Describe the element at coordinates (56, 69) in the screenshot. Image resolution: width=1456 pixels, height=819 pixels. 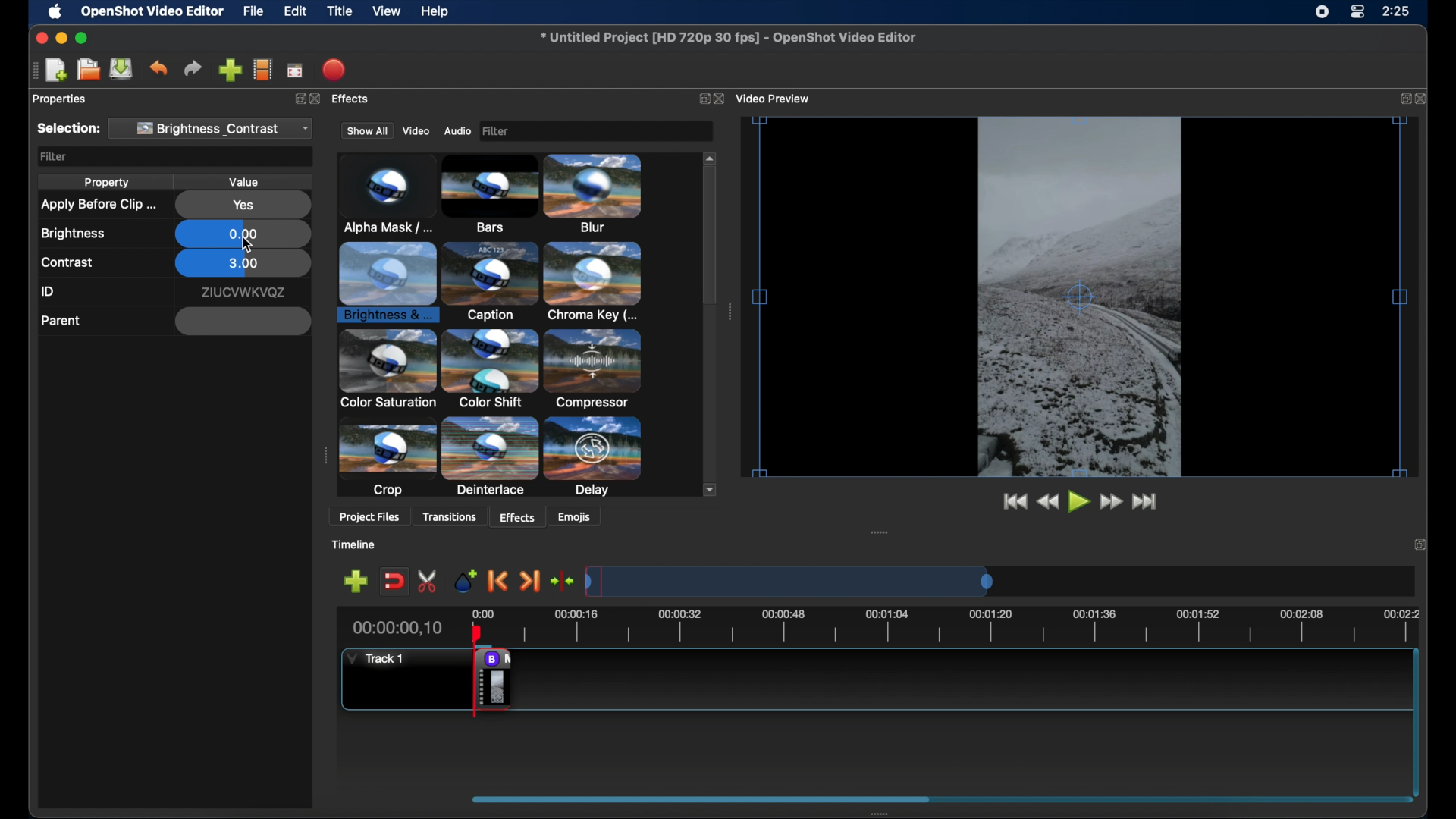
I see `new project` at that location.